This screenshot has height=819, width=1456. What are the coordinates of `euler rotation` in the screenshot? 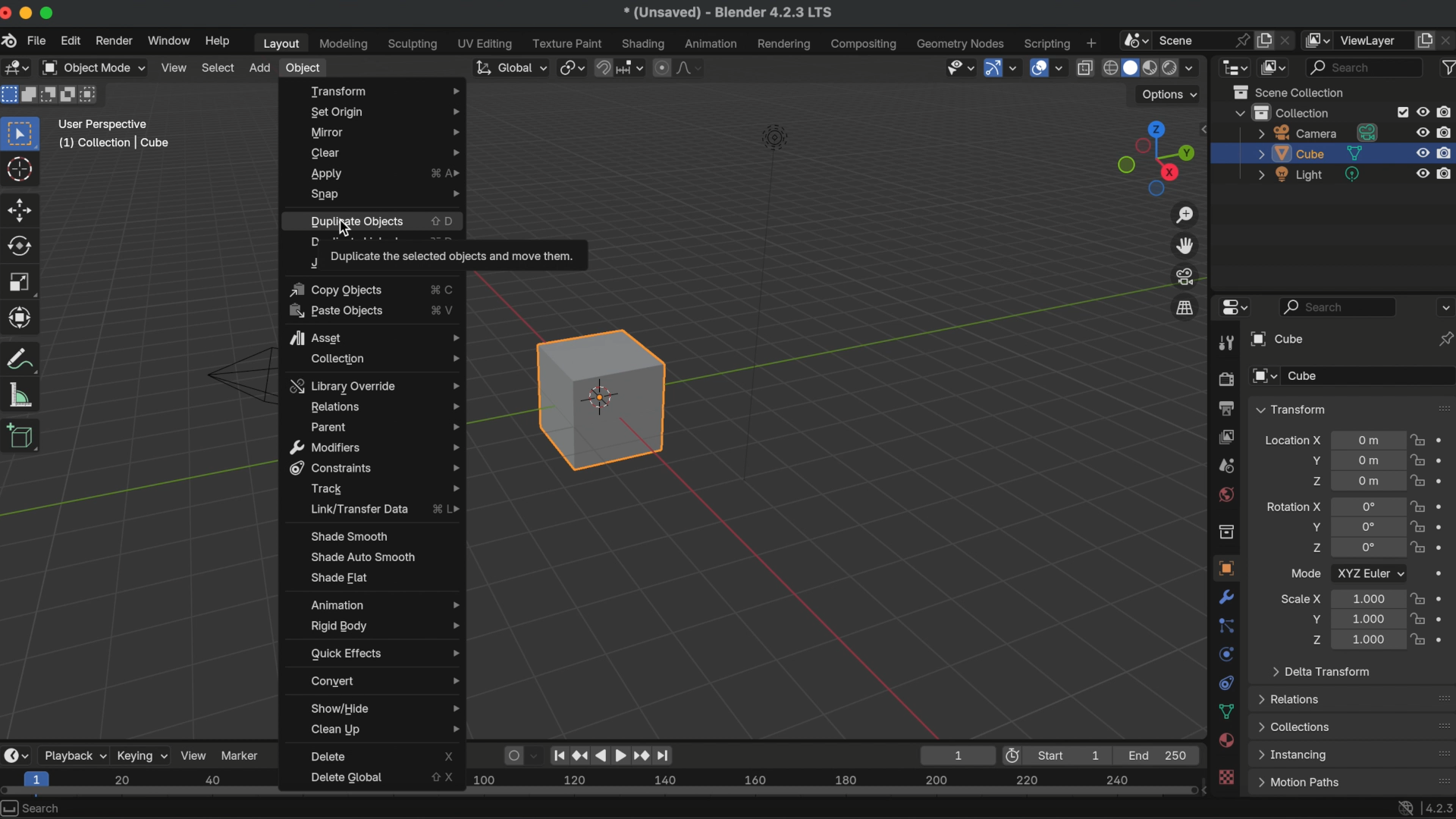 It's located at (1368, 549).